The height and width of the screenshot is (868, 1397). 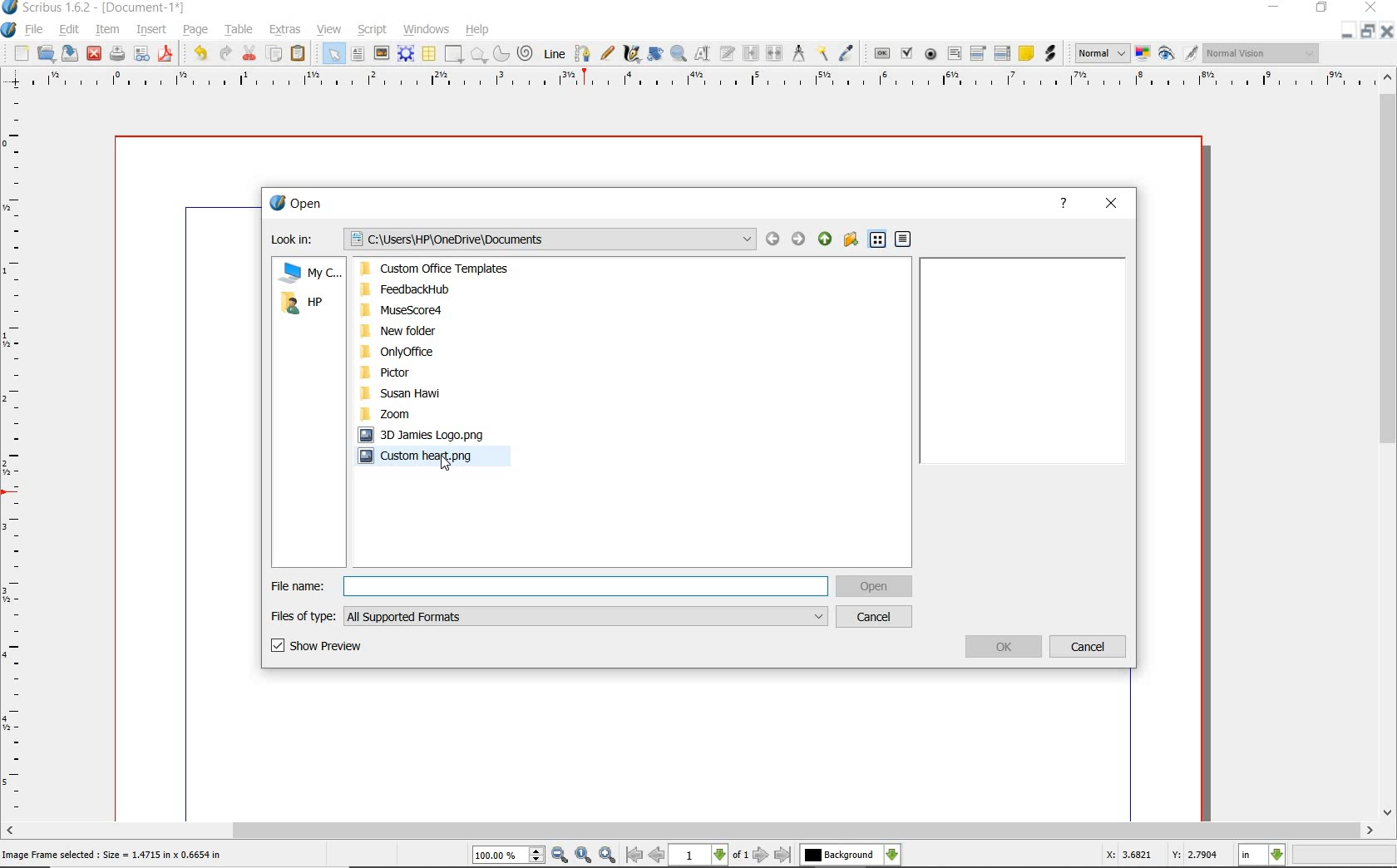 What do you see at coordinates (336, 57) in the screenshot?
I see `select` at bounding box center [336, 57].